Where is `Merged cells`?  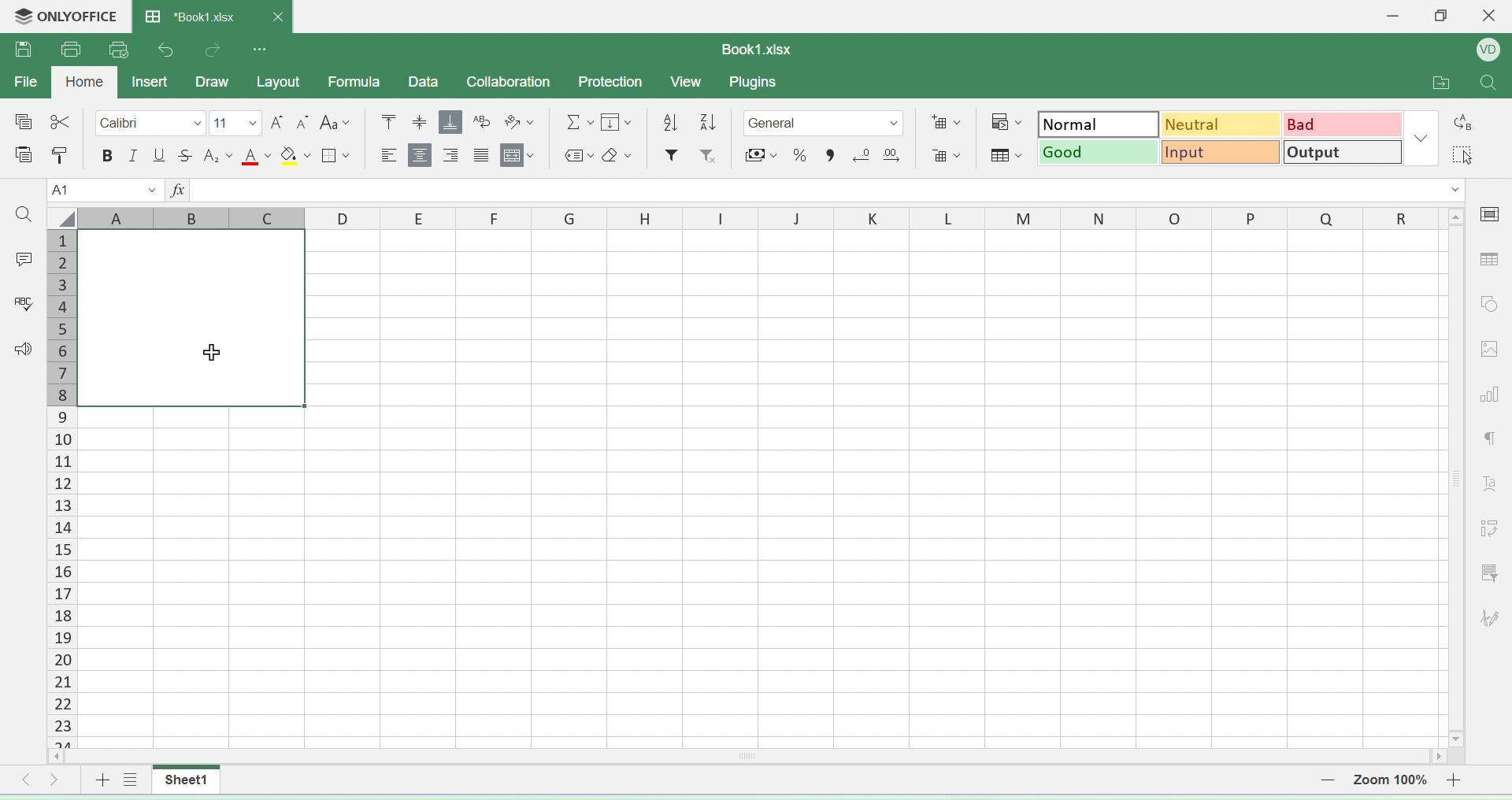
Merged cells is located at coordinates (191, 318).